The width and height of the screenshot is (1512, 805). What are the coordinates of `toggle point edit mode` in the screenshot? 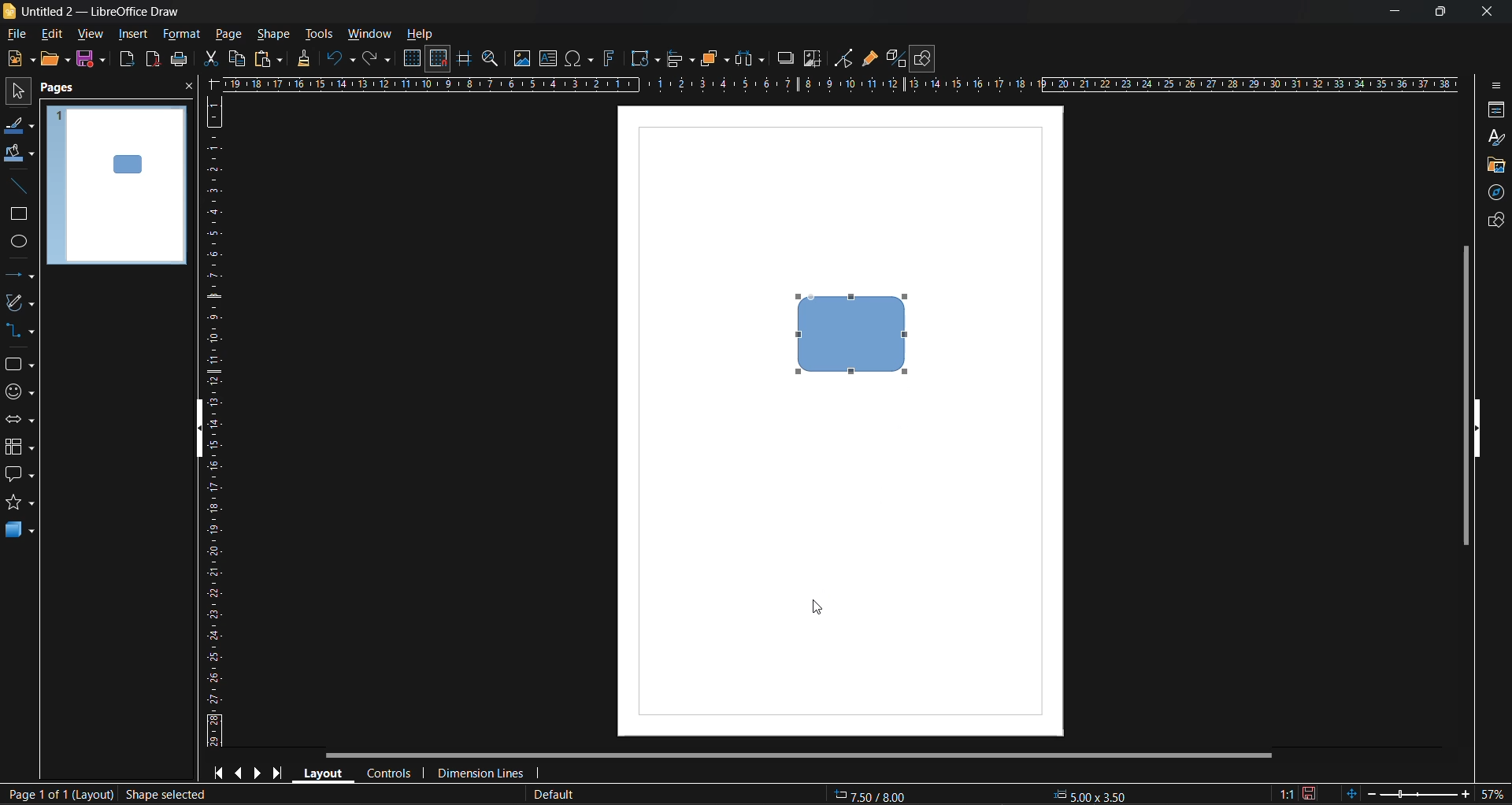 It's located at (846, 59).